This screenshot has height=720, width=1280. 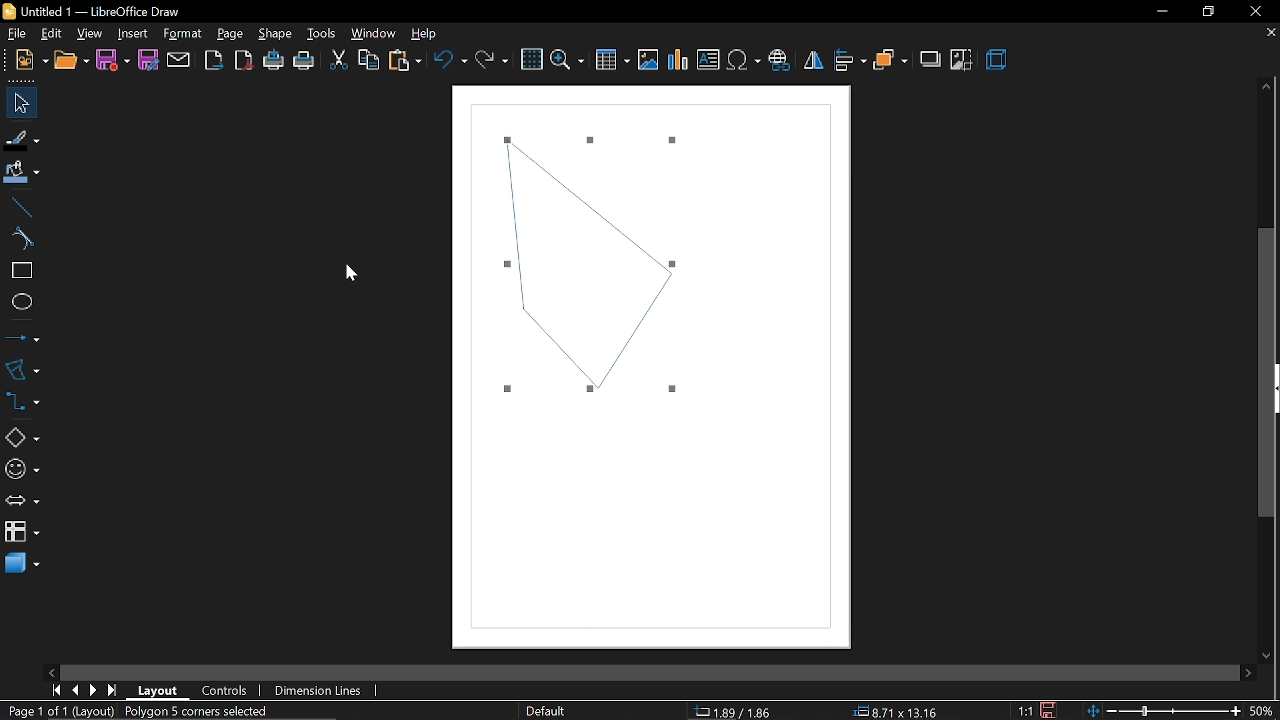 What do you see at coordinates (19, 207) in the screenshot?
I see `line` at bounding box center [19, 207].